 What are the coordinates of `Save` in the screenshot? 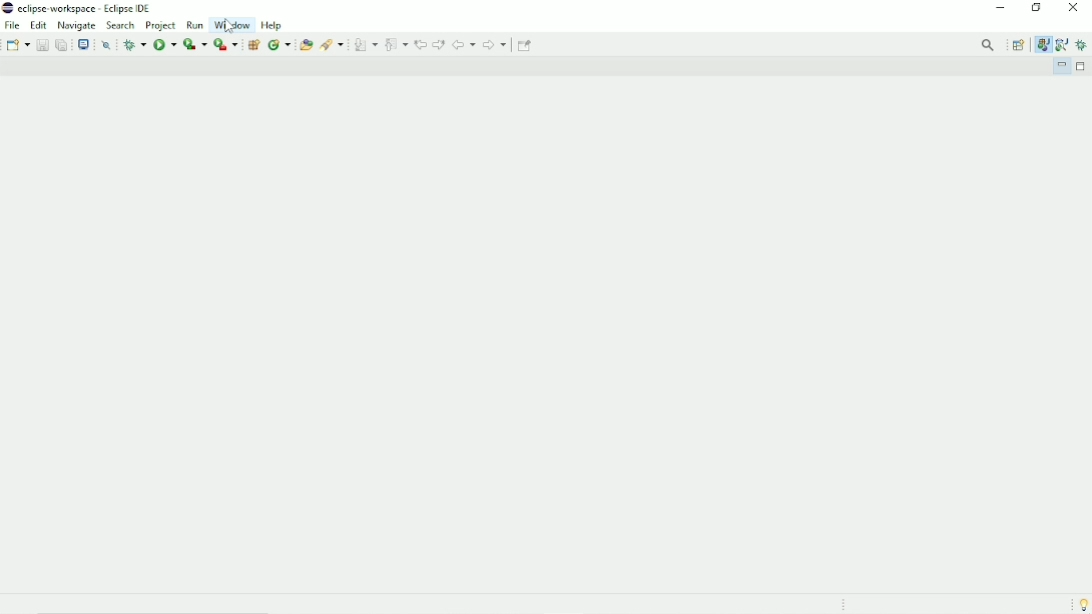 It's located at (41, 44).